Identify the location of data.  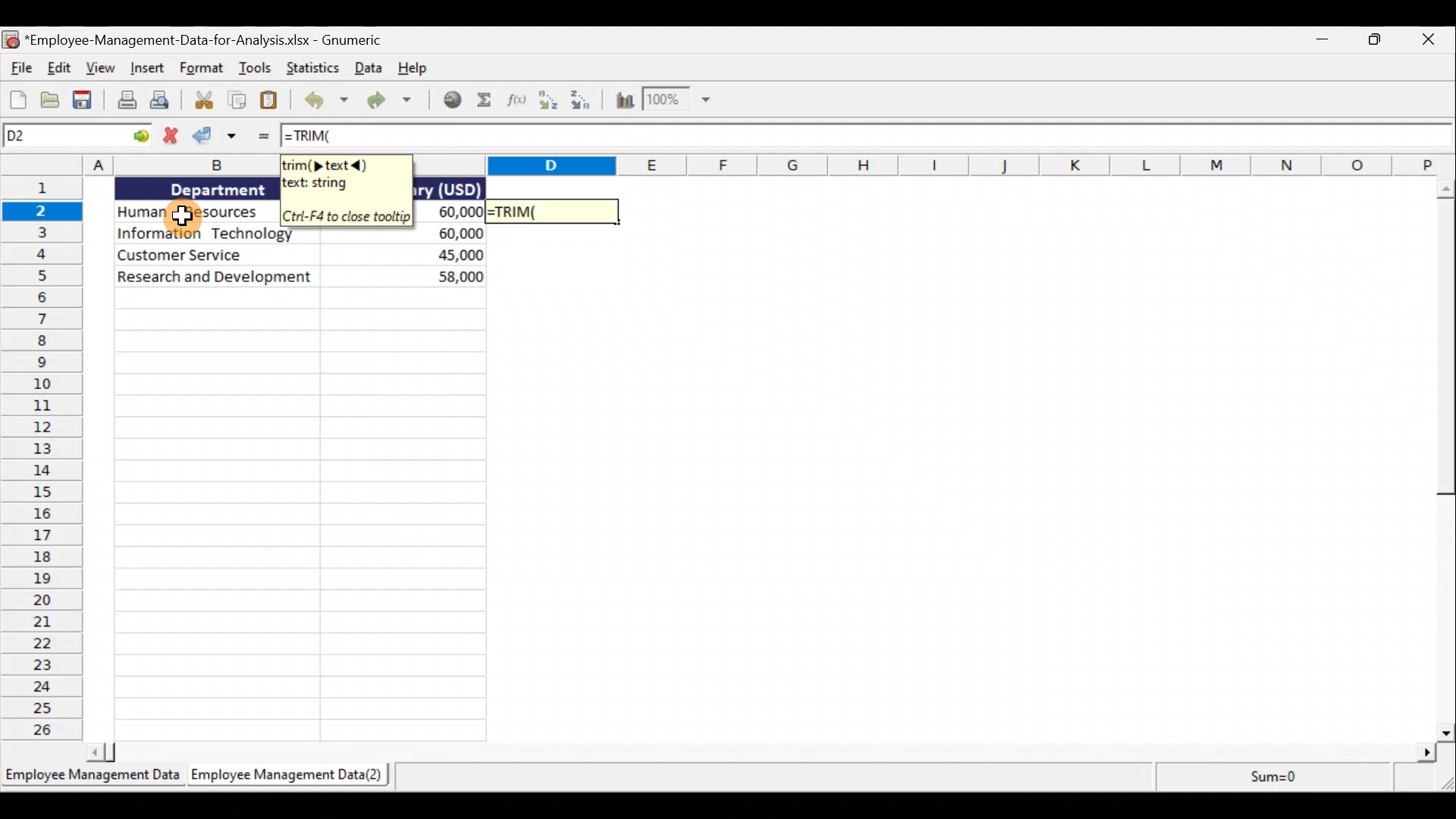
(296, 278).